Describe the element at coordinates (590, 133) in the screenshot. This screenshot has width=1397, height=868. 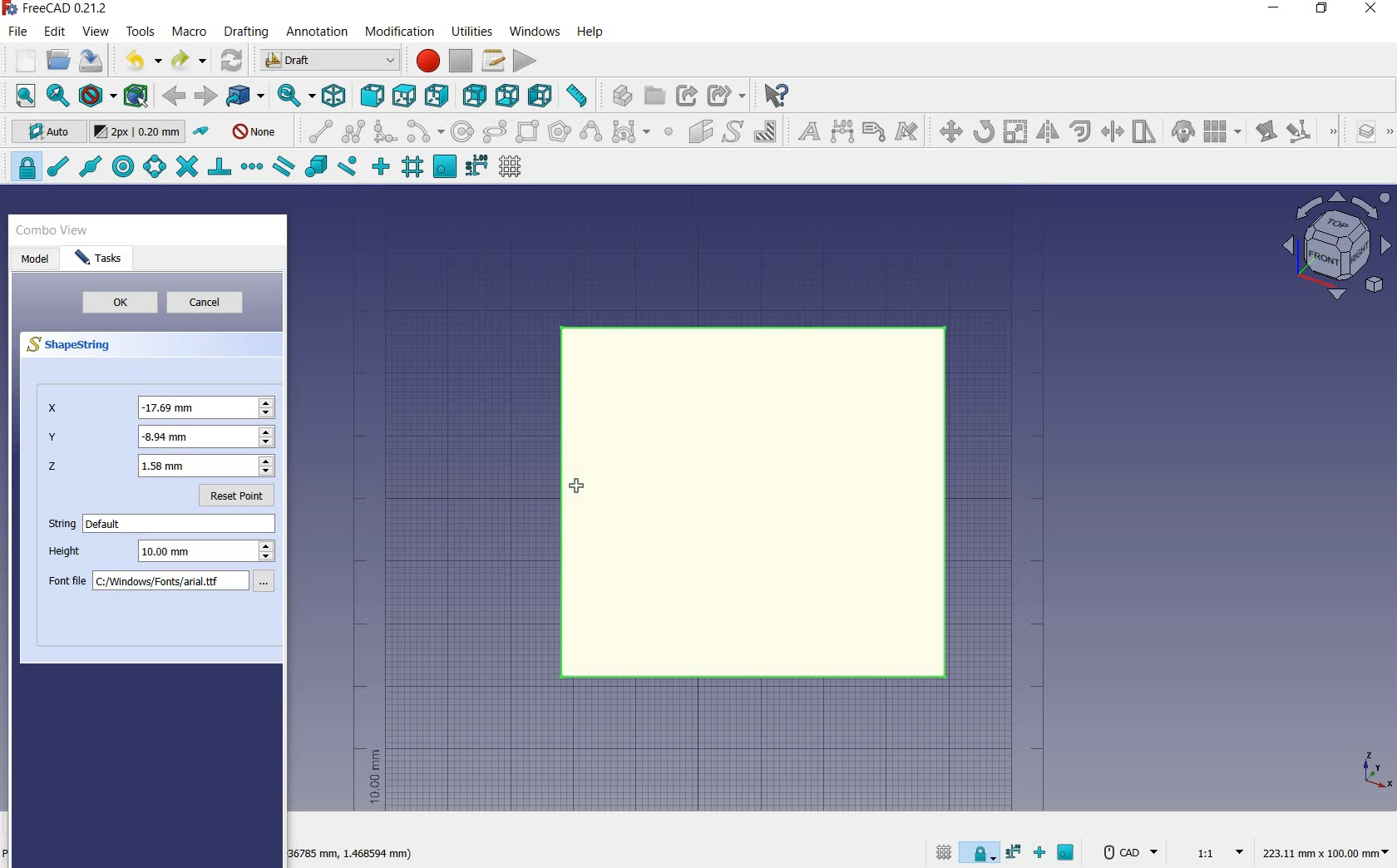
I see `b-spline` at that location.